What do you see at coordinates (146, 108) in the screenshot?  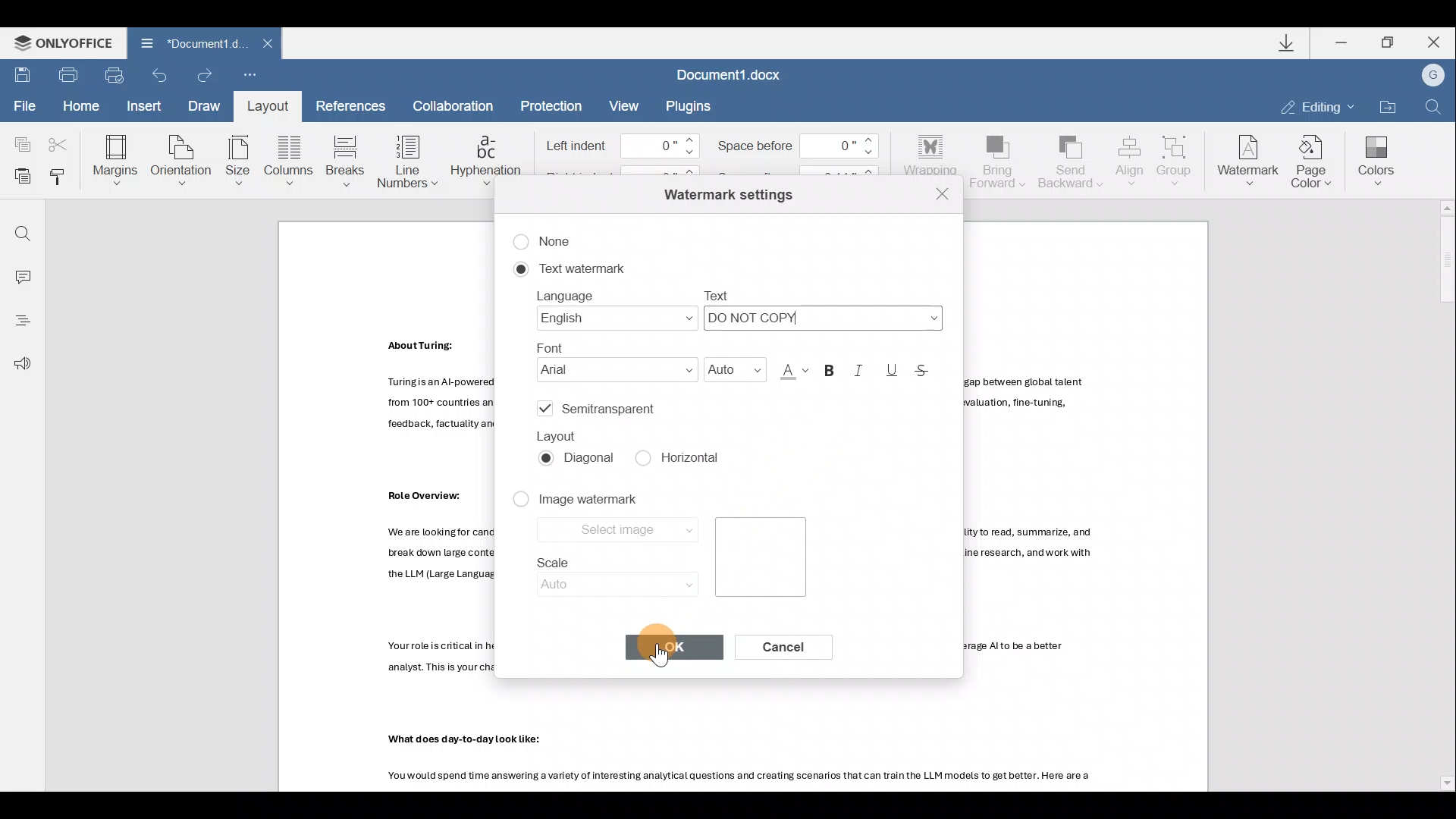 I see `Insert` at bounding box center [146, 108].